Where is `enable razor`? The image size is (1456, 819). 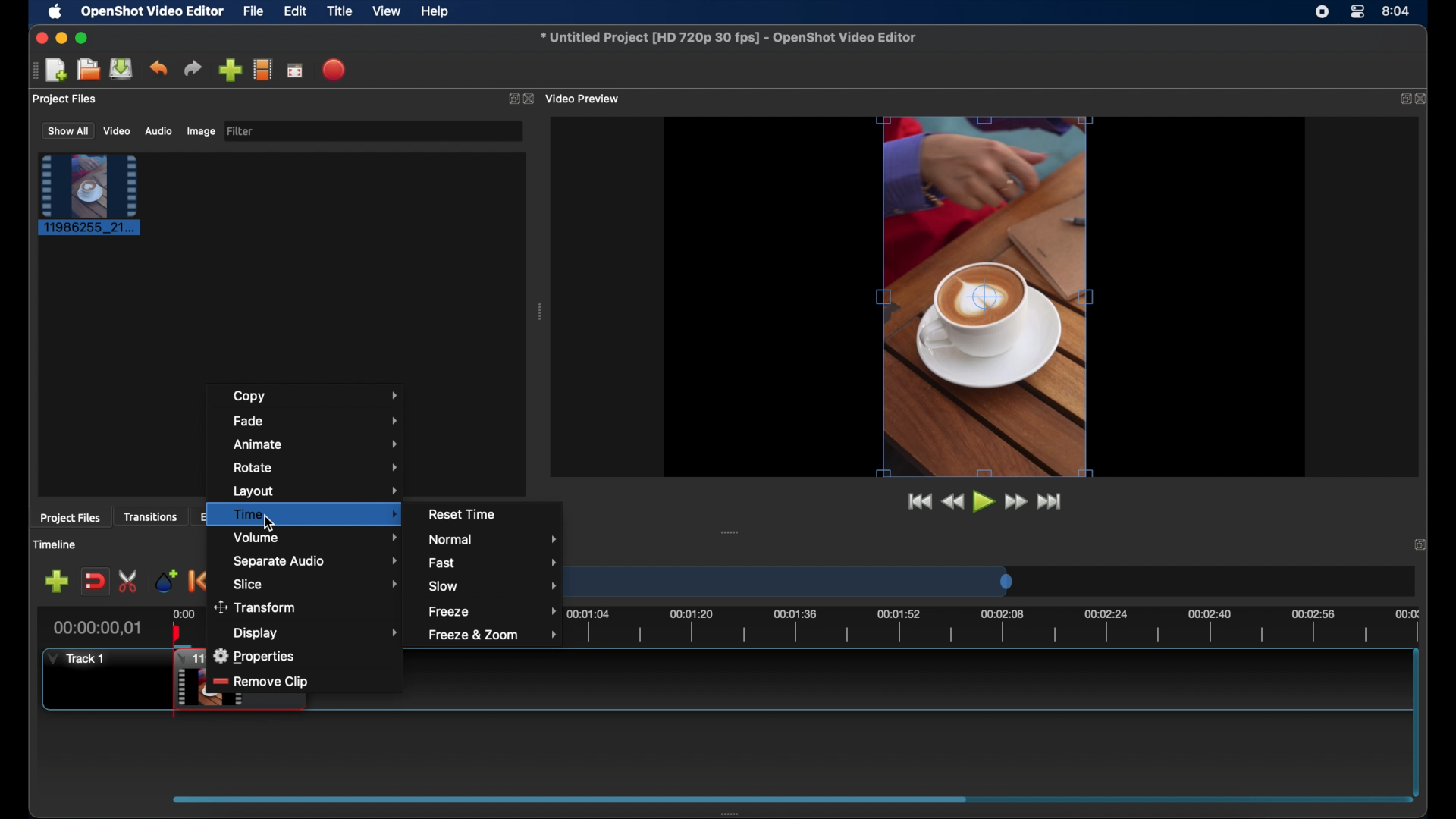
enable razor is located at coordinates (130, 581).